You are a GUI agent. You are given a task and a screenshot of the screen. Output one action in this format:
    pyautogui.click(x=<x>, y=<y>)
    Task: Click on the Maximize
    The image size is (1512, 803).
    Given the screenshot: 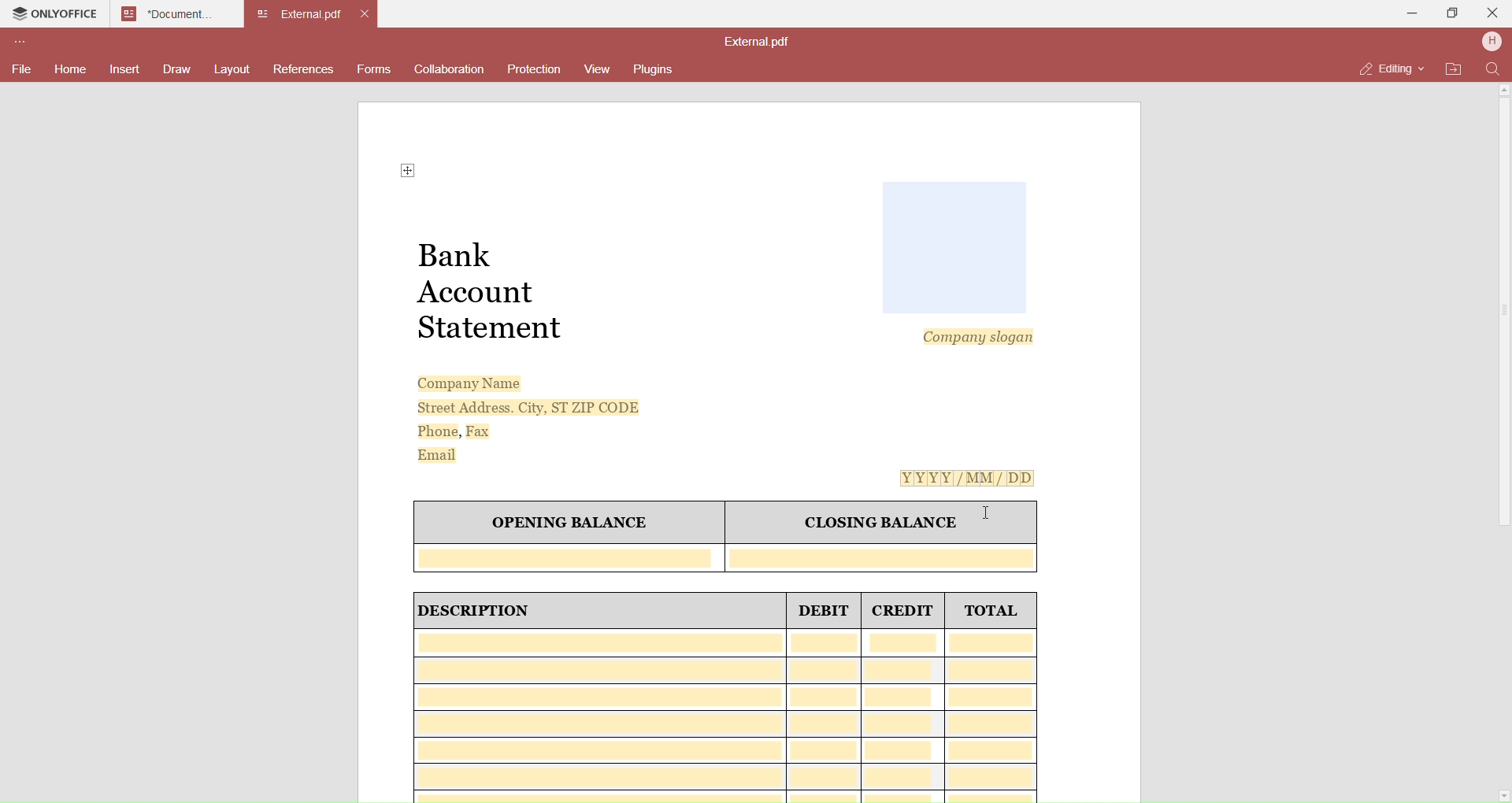 What is the action you would take?
    pyautogui.click(x=1454, y=16)
    